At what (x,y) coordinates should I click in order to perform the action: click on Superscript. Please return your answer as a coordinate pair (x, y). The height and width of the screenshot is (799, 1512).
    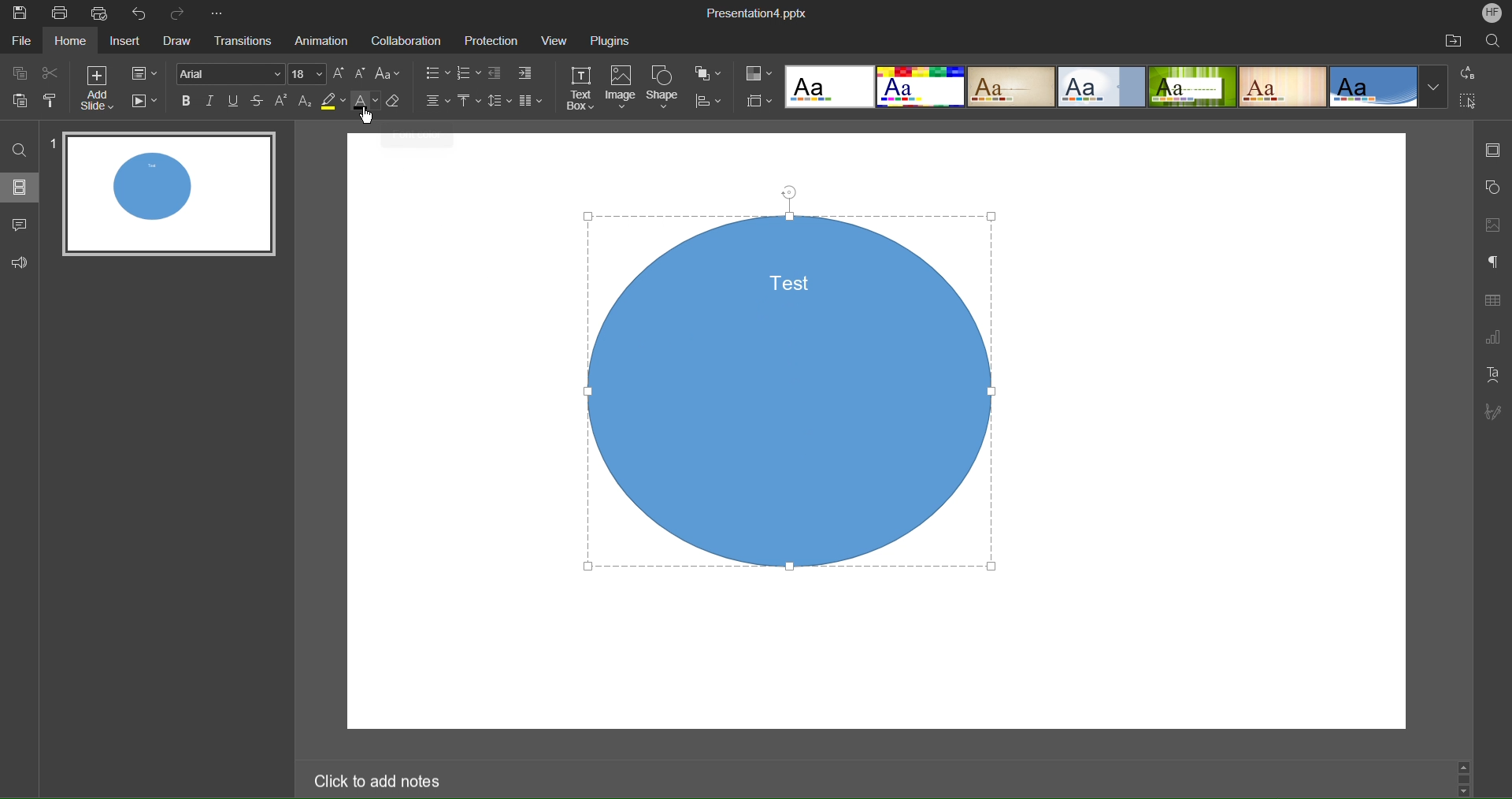
    Looking at the image, I should click on (283, 102).